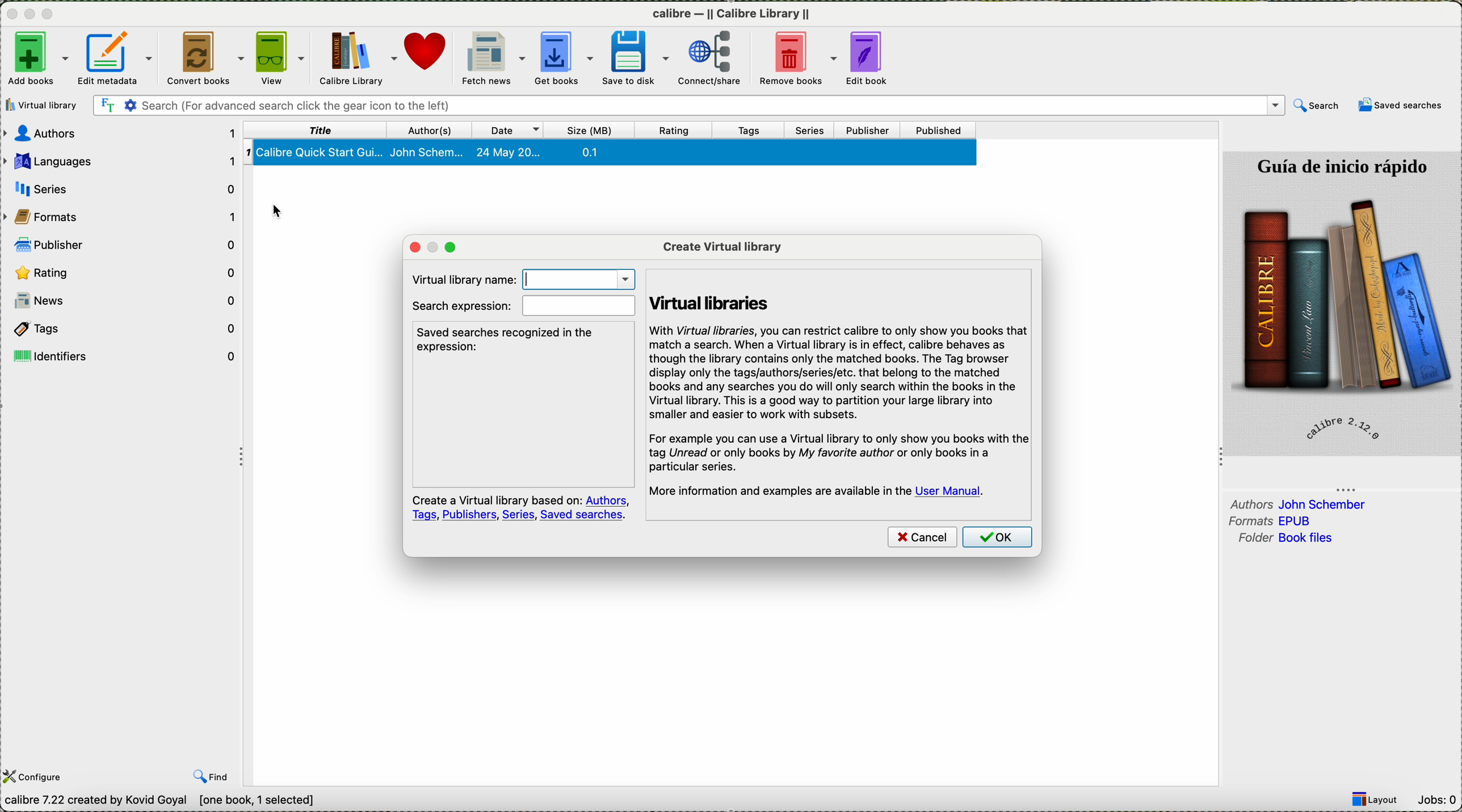  I want to click on view, so click(282, 59).